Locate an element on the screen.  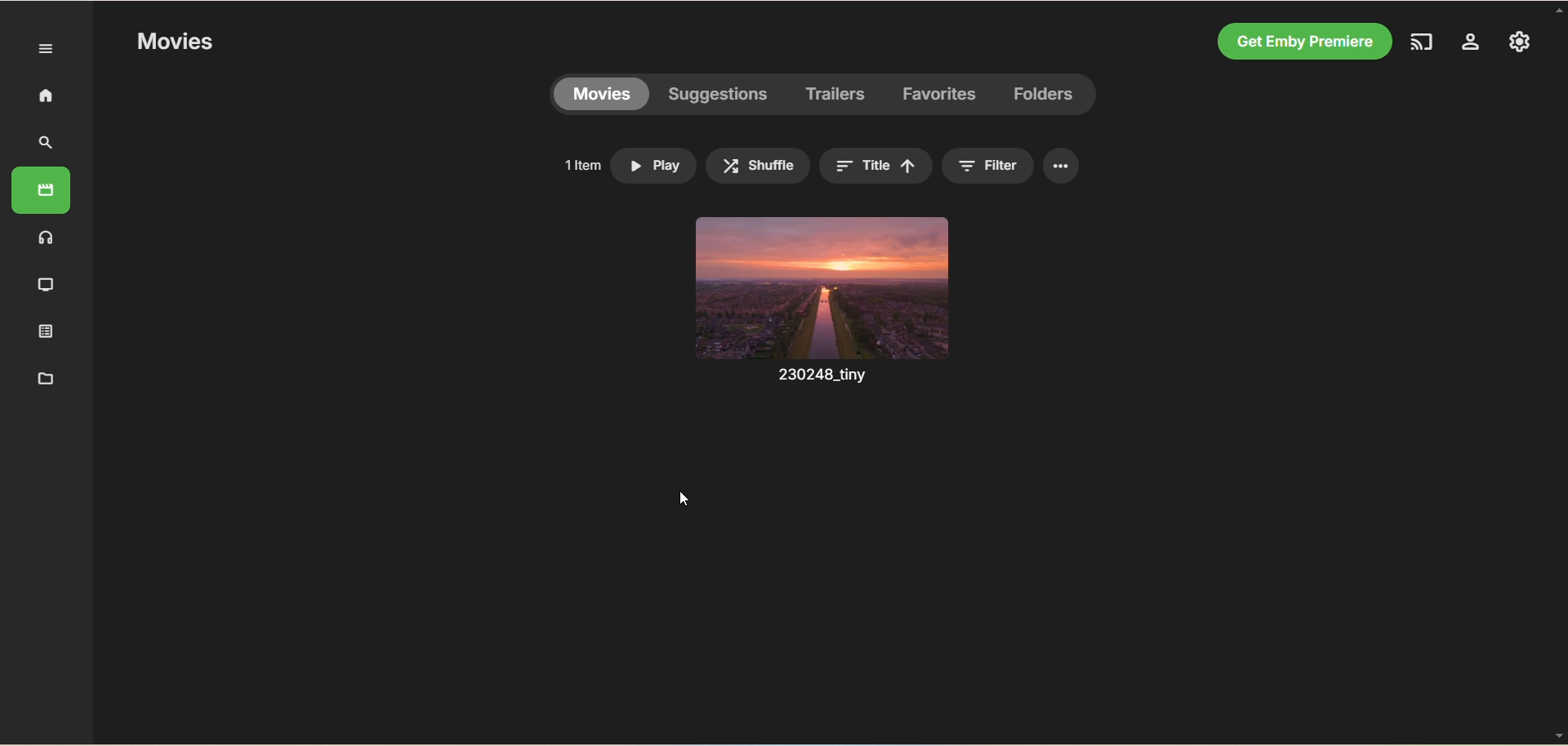
filter is located at coordinates (992, 166).